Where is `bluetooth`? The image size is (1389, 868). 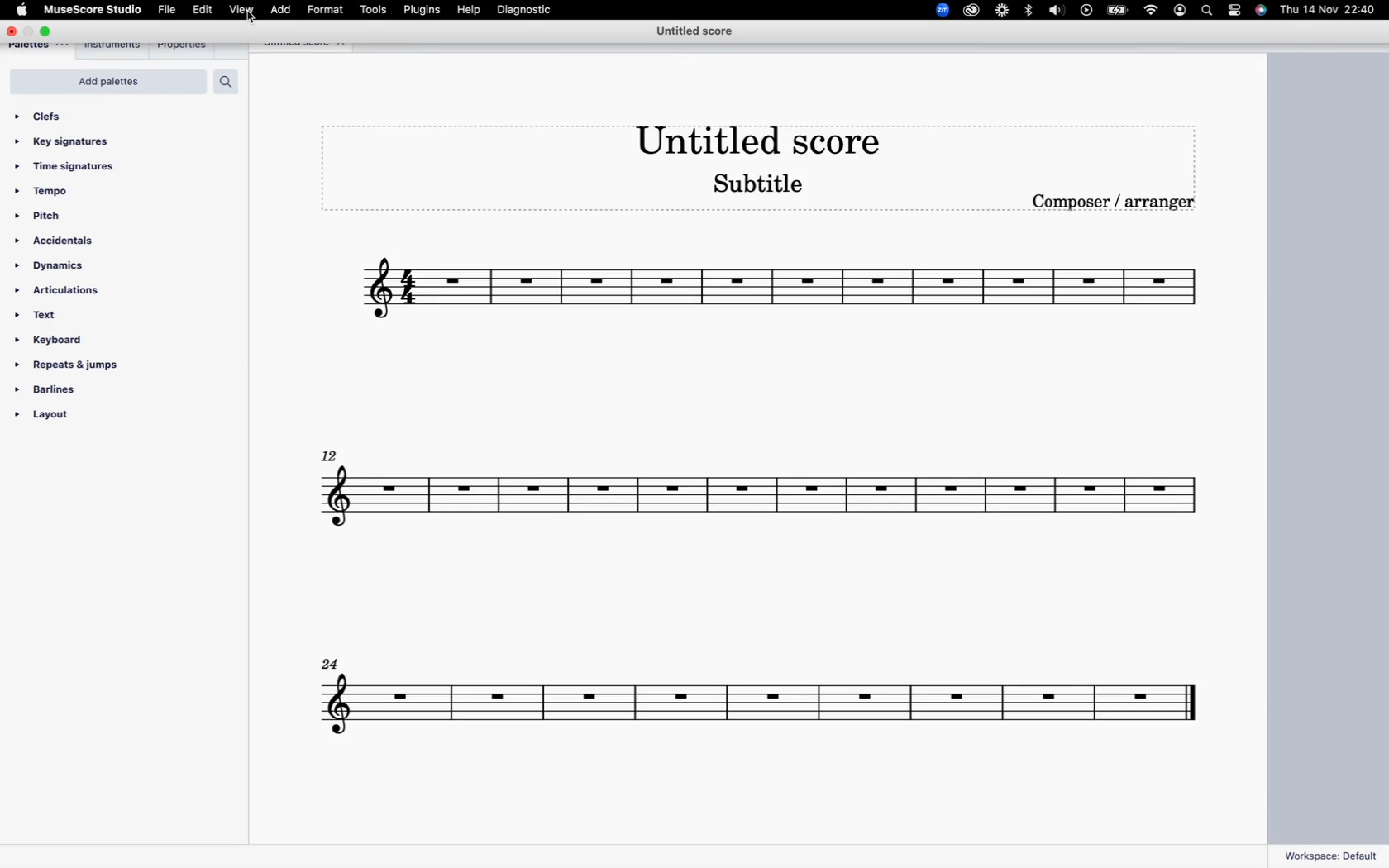
bluetooth is located at coordinates (1028, 11).